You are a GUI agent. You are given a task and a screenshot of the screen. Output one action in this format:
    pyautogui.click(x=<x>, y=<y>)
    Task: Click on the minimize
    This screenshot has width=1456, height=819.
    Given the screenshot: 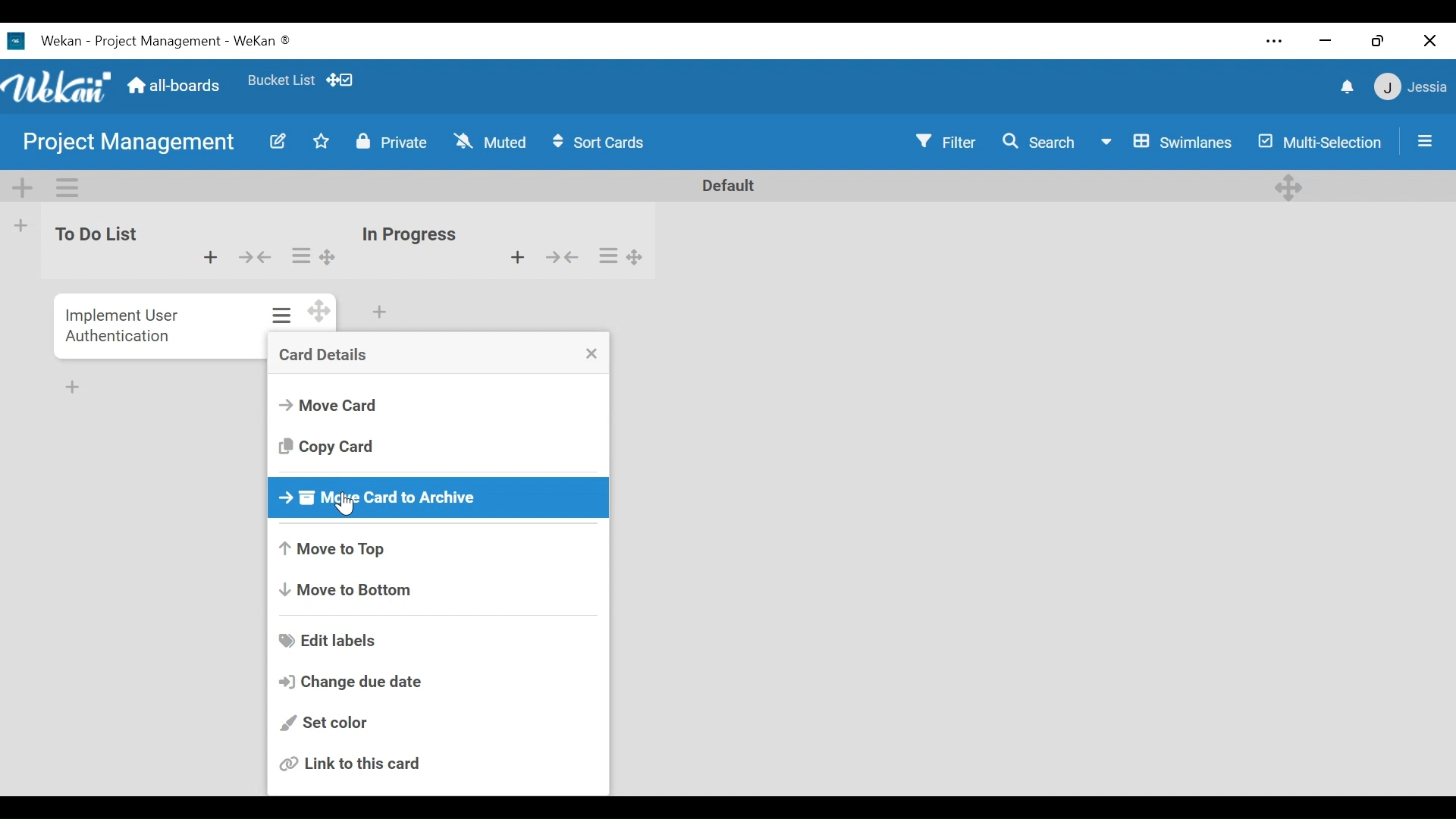 What is the action you would take?
    pyautogui.click(x=1325, y=42)
    